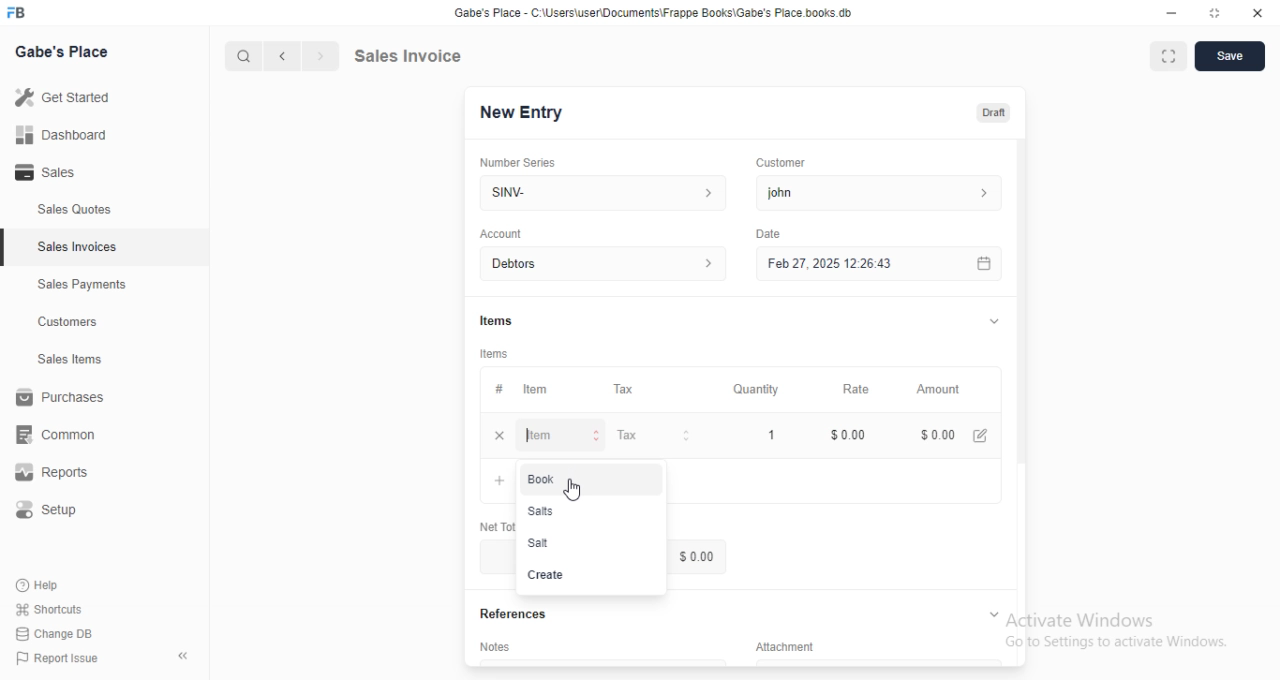 This screenshot has height=680, width=1280. I want to click on collapse, so click(181, 653).